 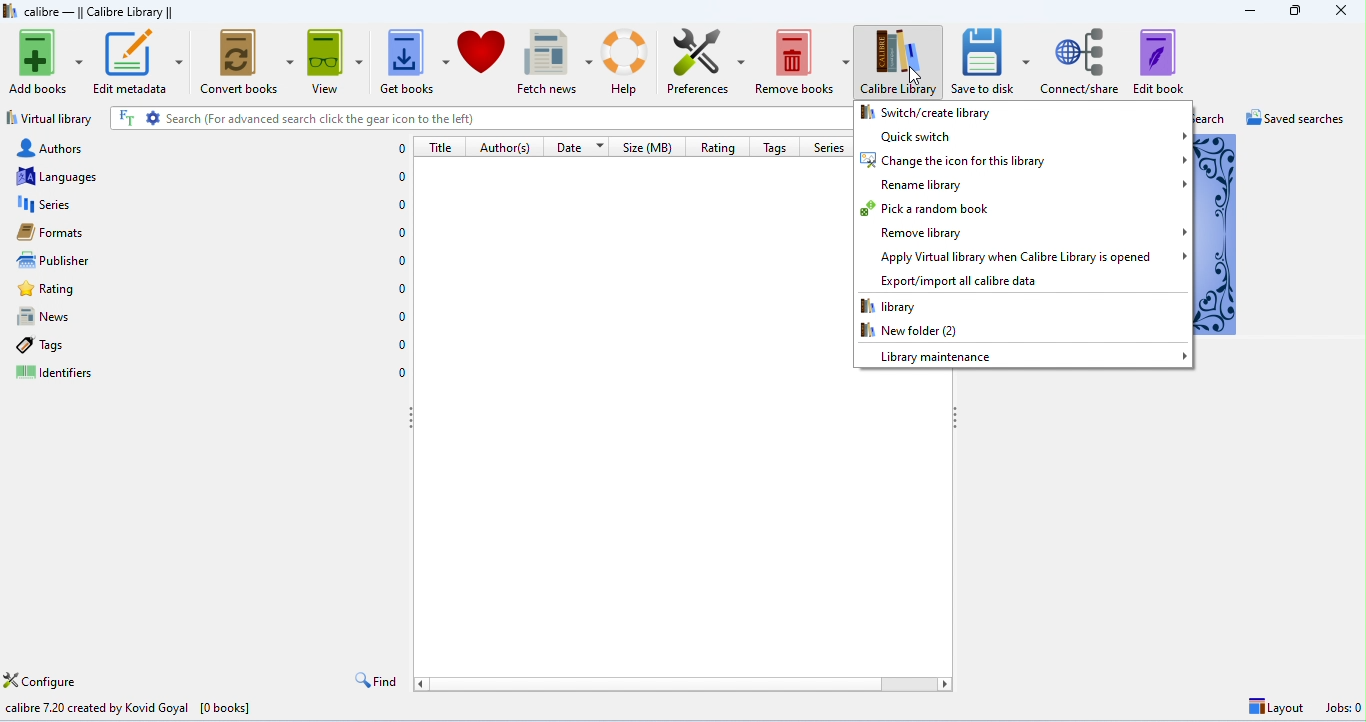 I want to click on tags, so click(x=774, y=147).